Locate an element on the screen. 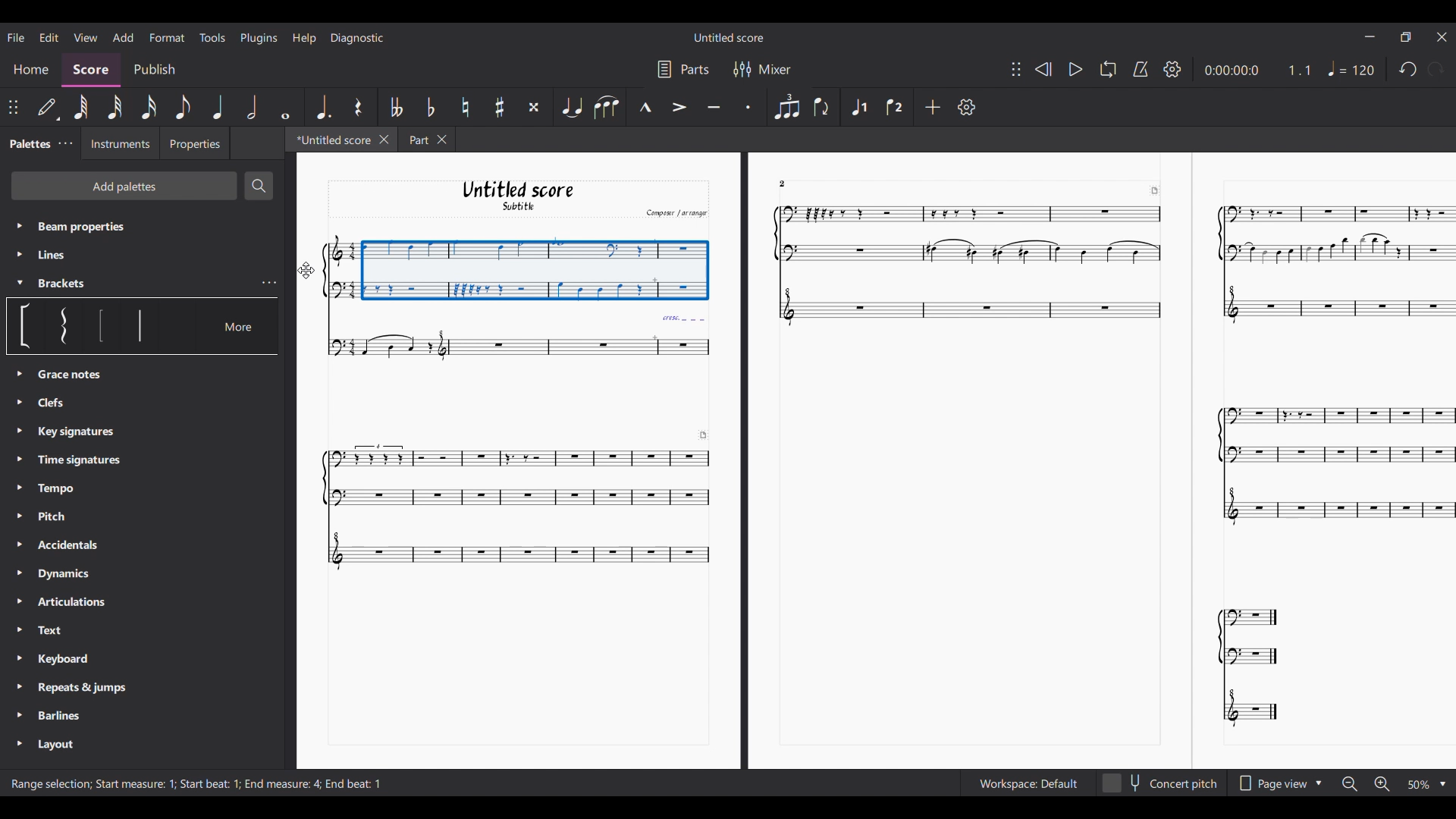 This screenshot has width=1456, height=819. Comput arrange is located at coordinates (673, 212).